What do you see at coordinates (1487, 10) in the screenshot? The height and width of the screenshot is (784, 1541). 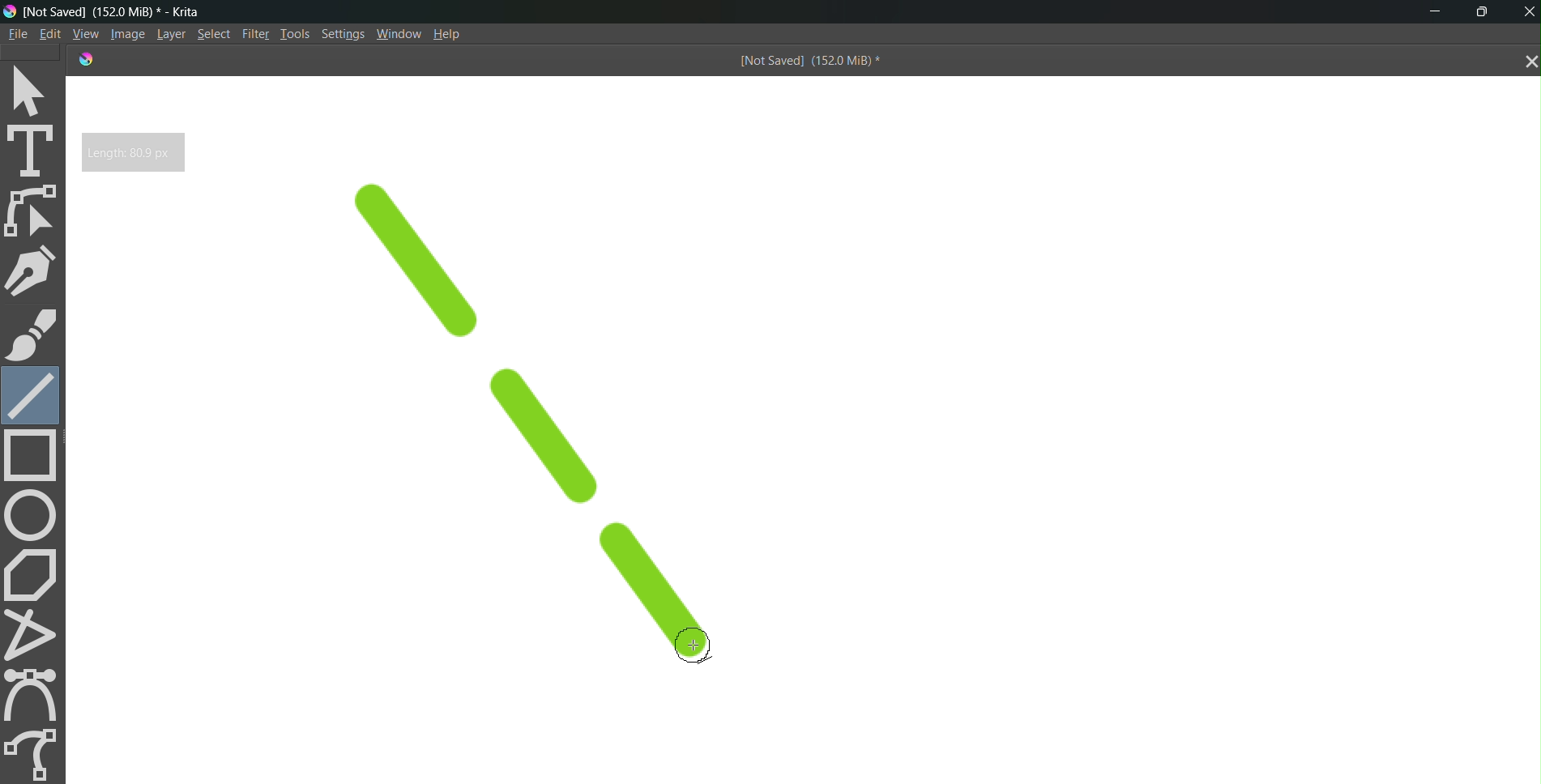 I see `maximize` at bounding box center [1487, 10].